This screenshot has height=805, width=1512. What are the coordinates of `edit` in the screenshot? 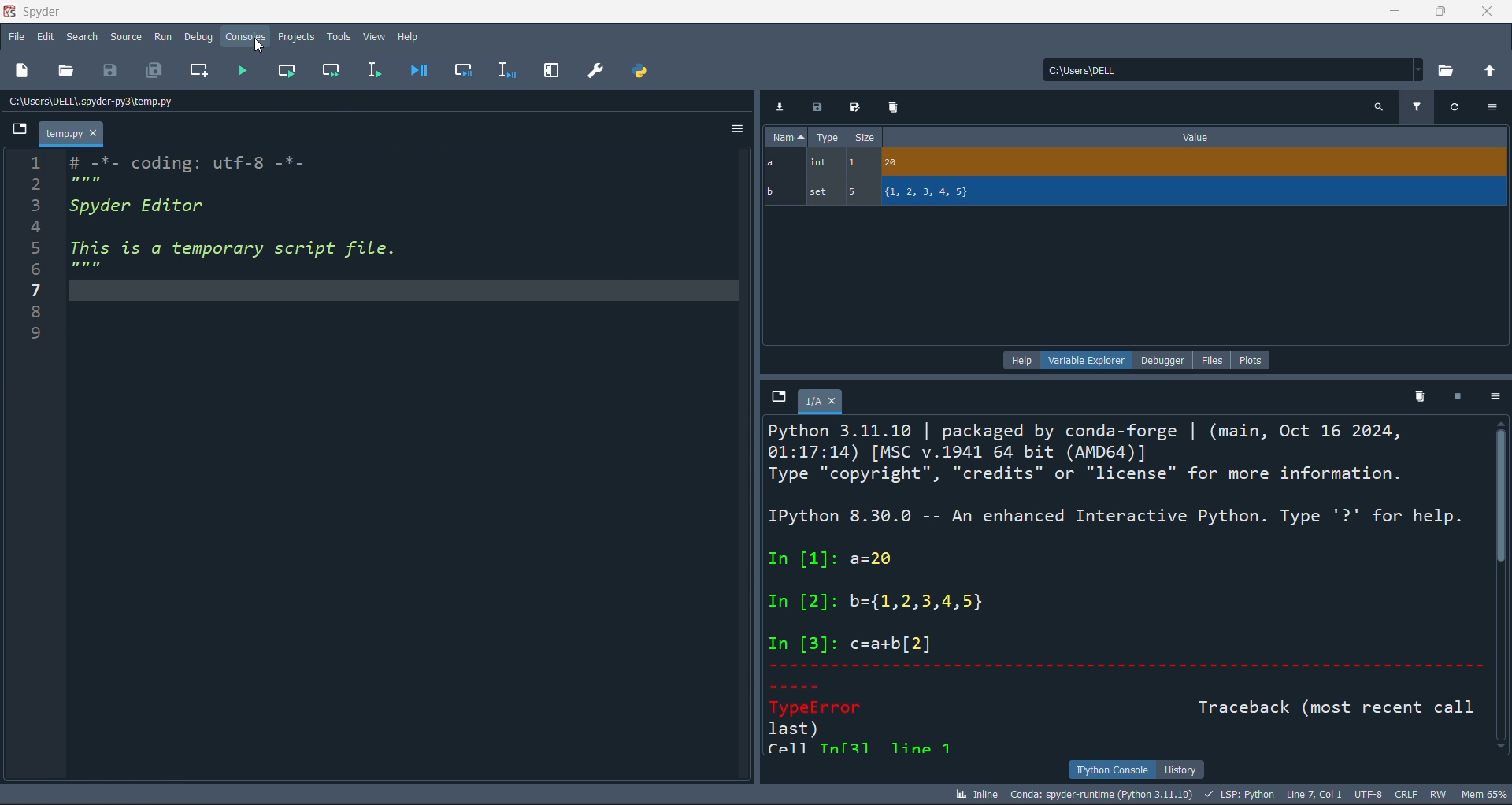 It's located at (45, 39).